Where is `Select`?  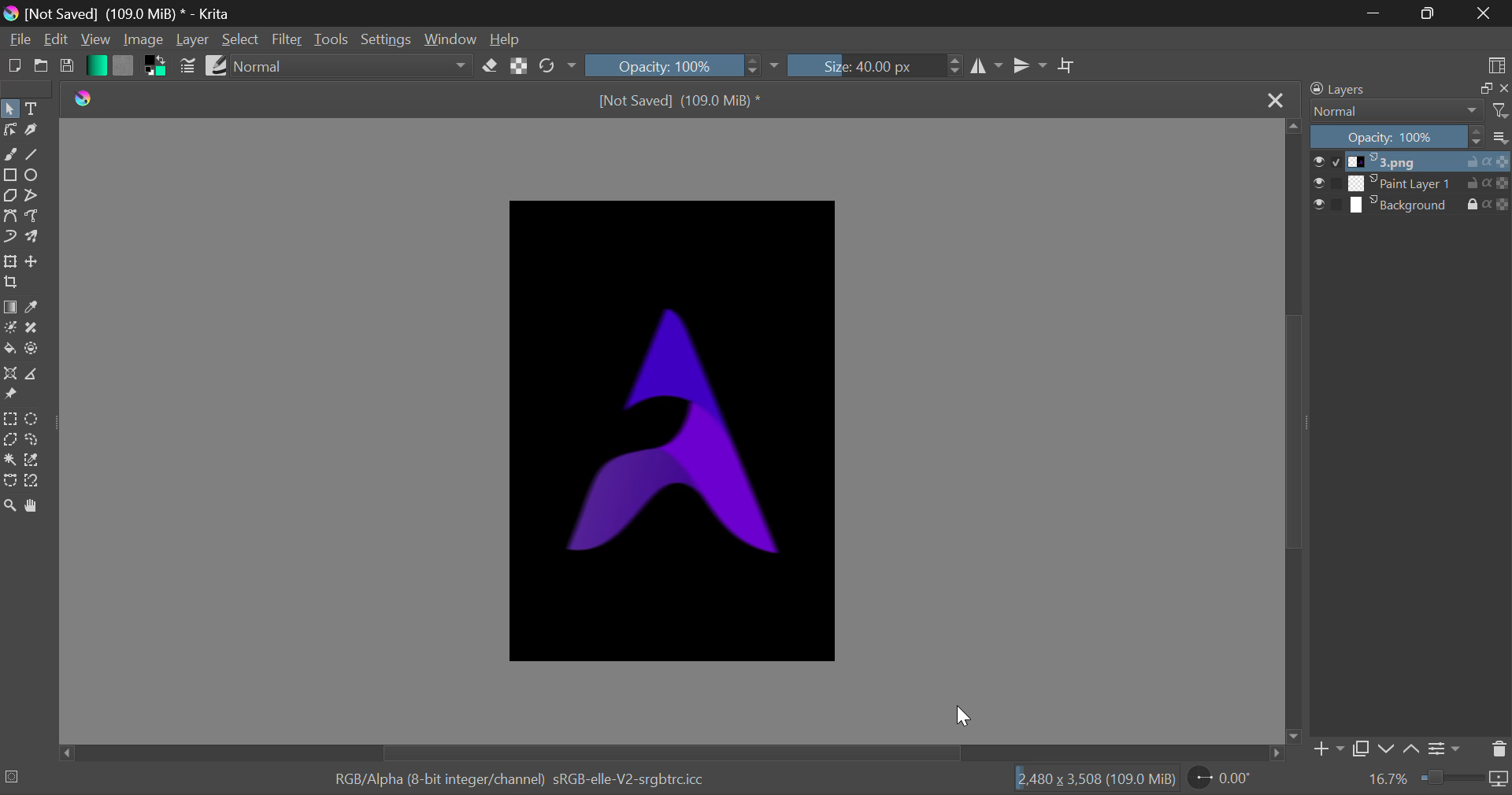 Select is located at coordinates (10, 108).